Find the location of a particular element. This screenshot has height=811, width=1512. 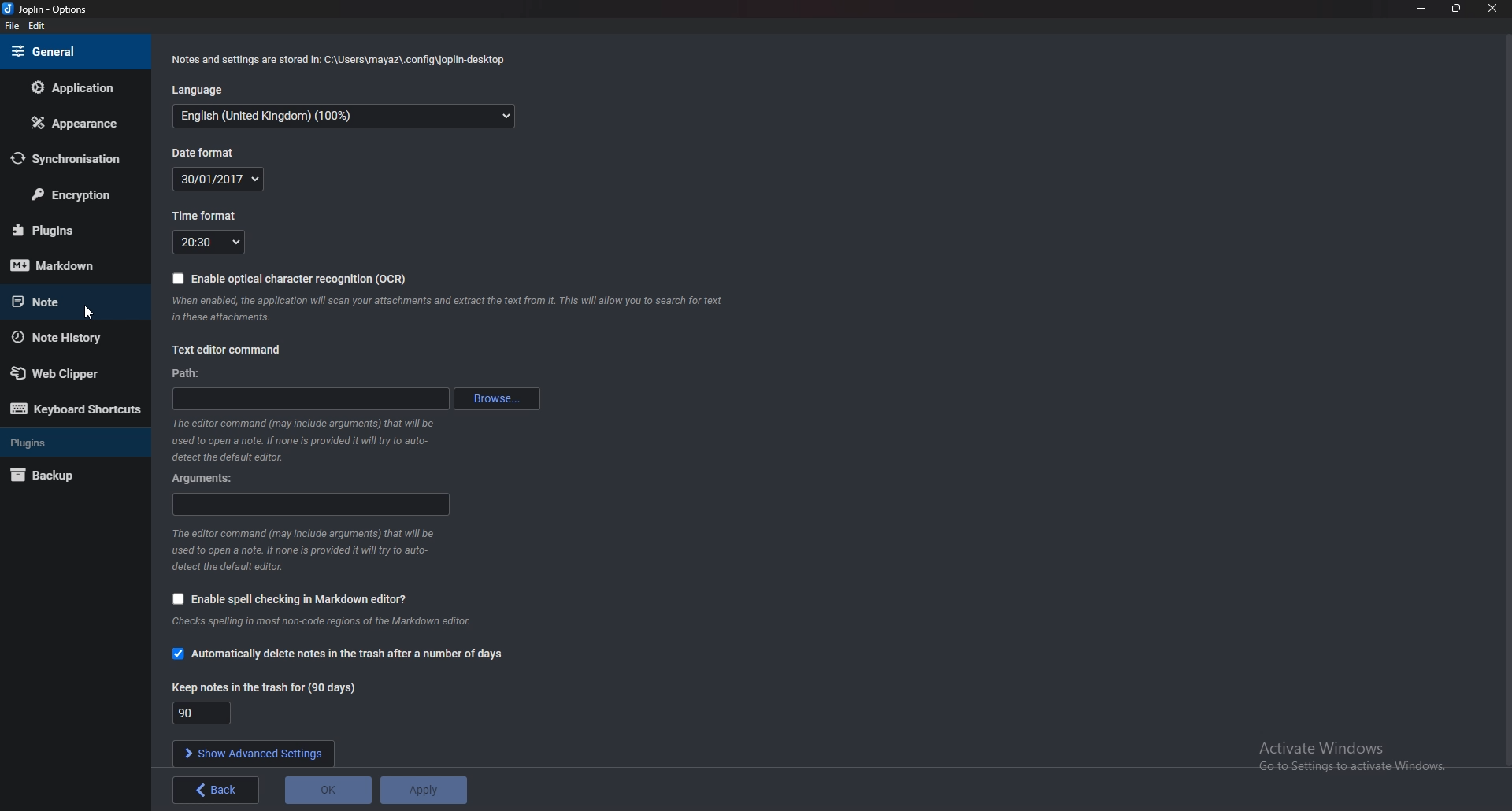

Encryption is located at coordinates (76, 195).